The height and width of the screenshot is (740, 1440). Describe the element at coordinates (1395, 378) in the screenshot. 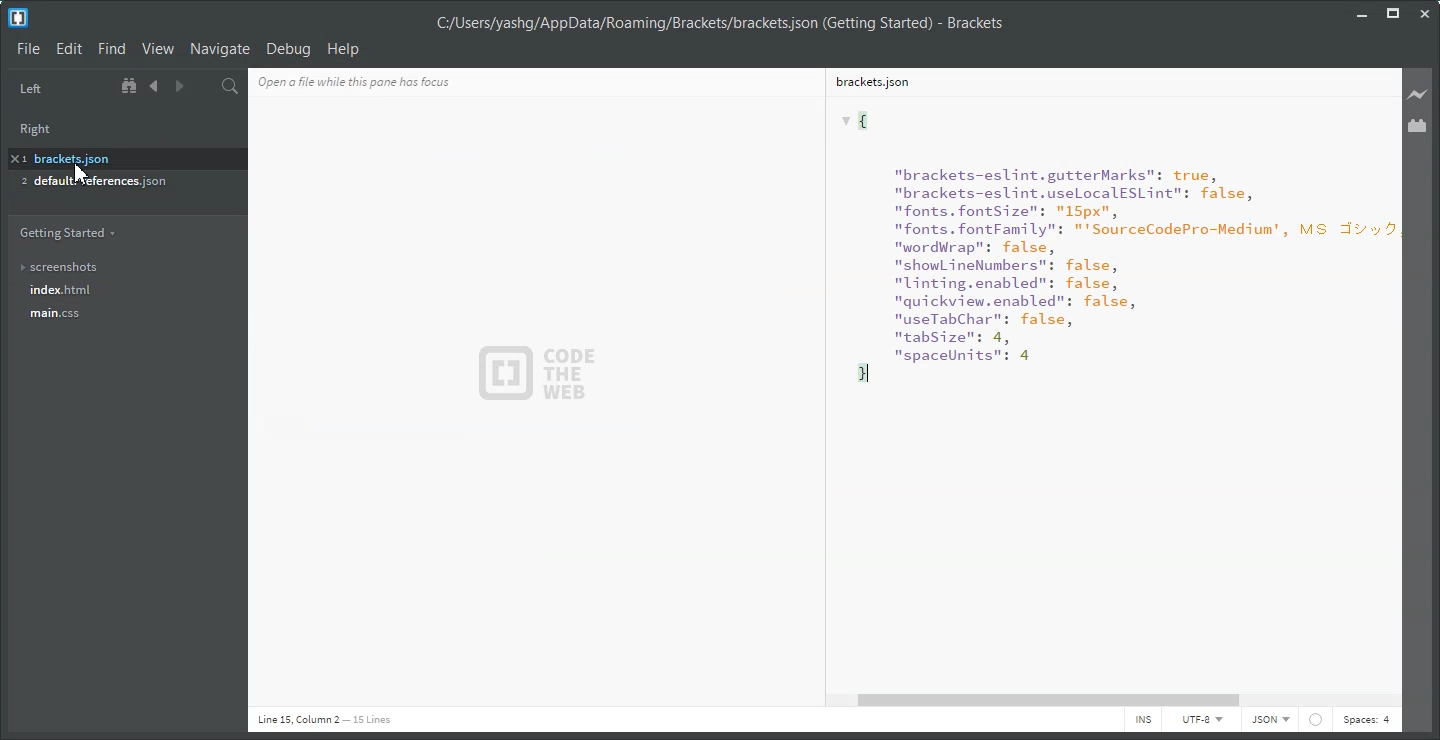

I see `Vertical scroll bar` at that location.